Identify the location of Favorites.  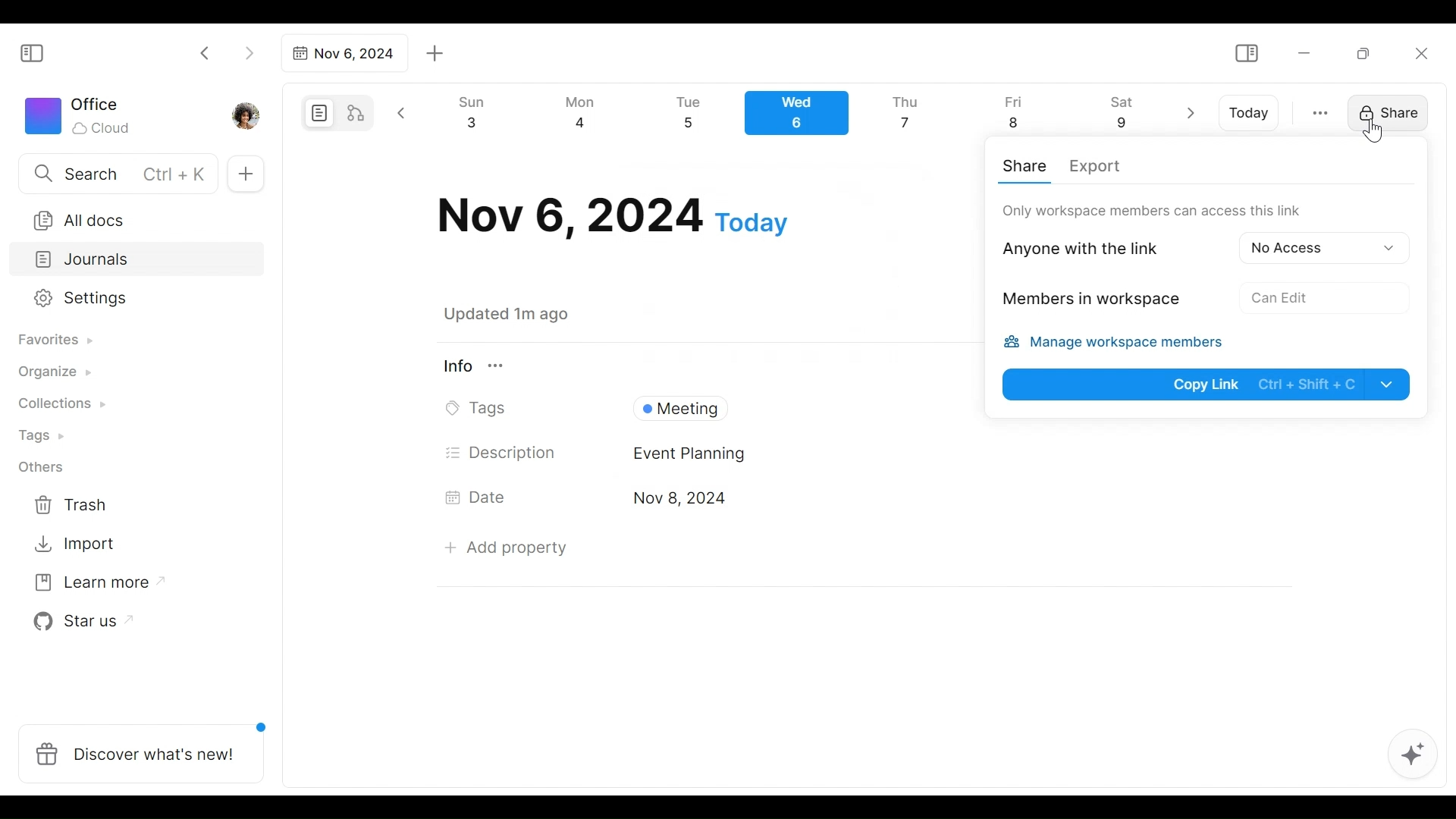
(54, 340).